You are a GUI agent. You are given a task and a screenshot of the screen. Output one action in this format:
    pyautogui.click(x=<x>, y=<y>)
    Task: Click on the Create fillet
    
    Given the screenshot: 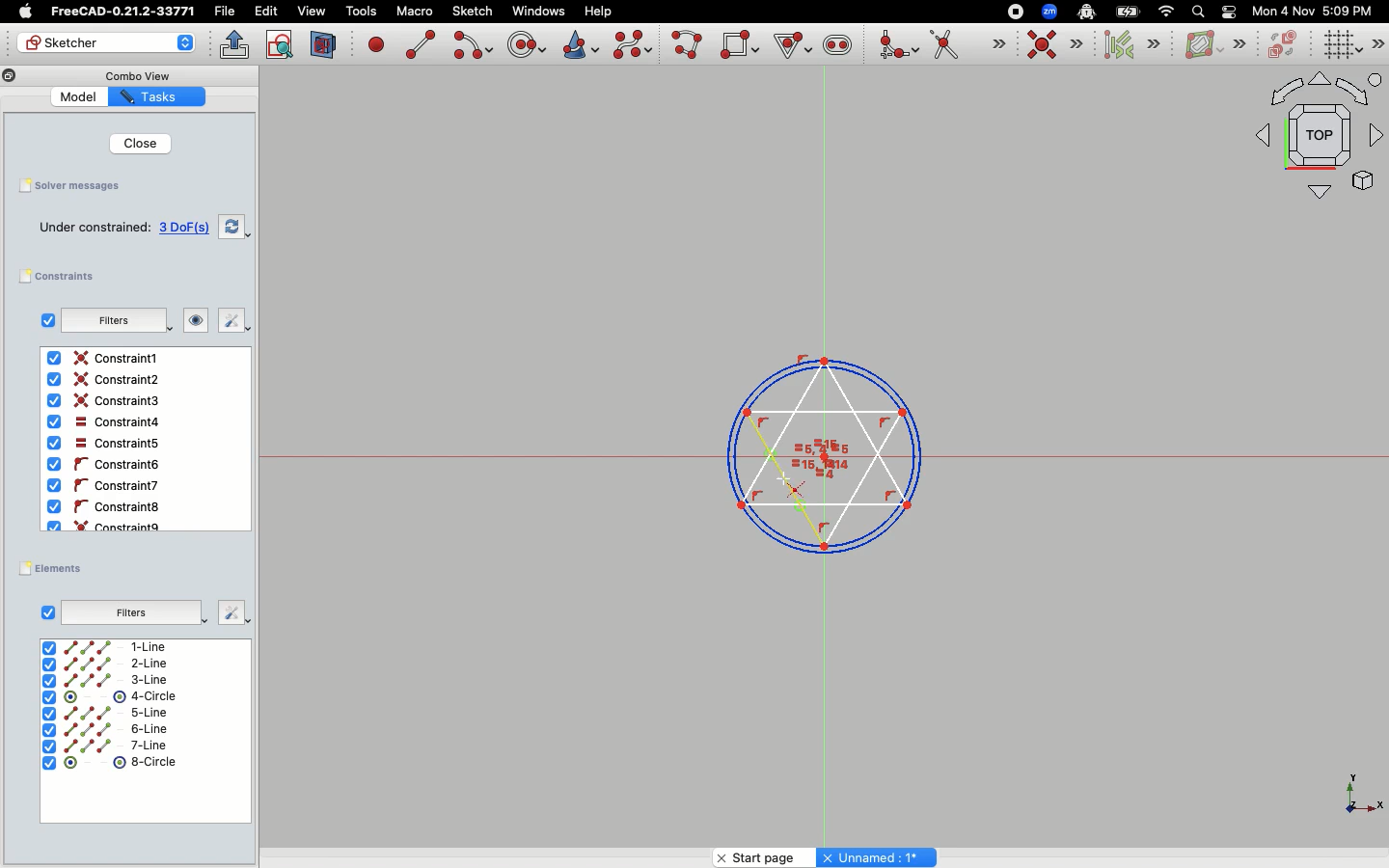 What is the action you would take?
    pyautogui.click(x=897, y=46)
    